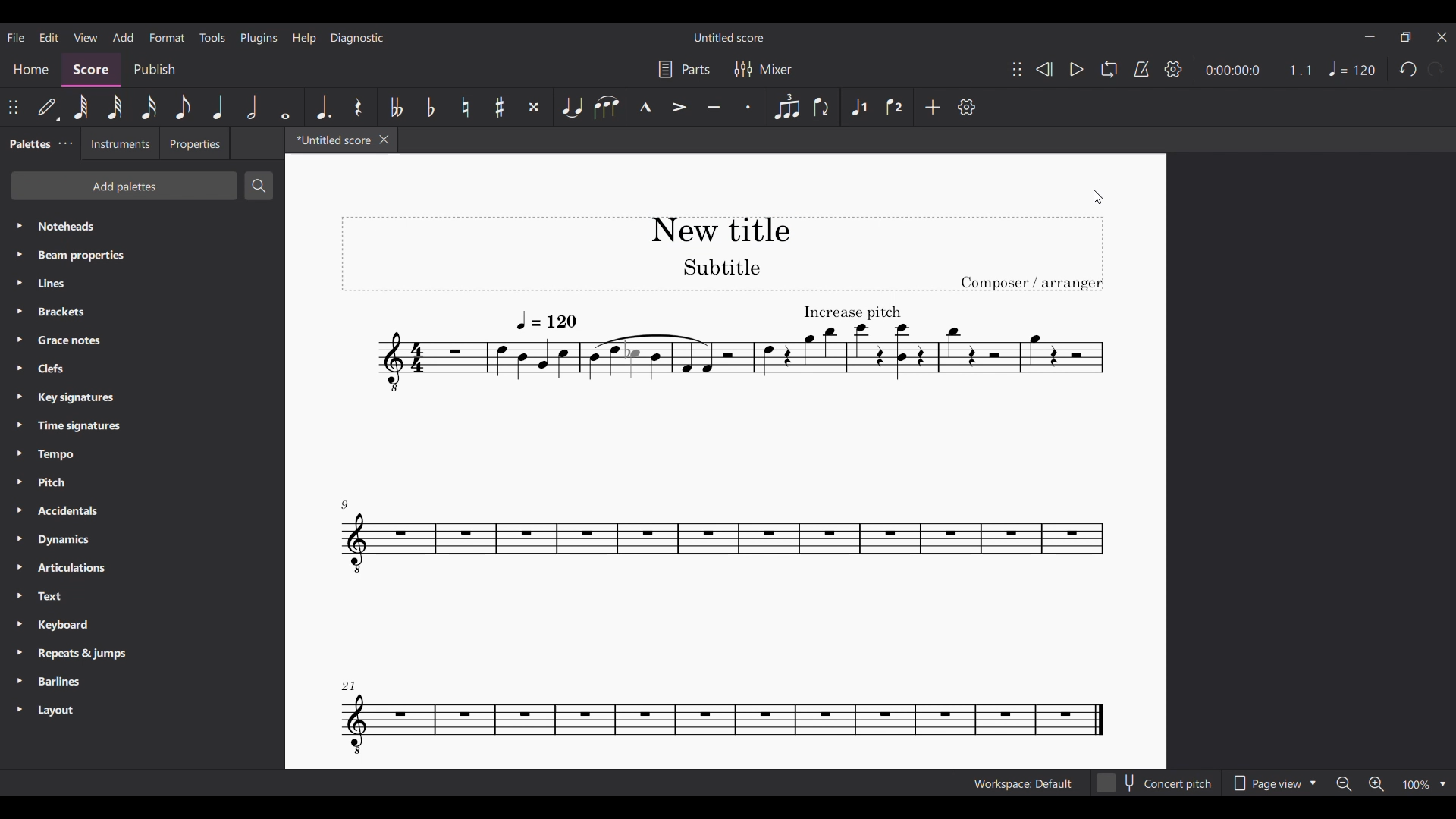 Image resolution: width=1456 pixels, height=819 pixels. What do you see at coordinates (125, 186) in the screenshot?
I see `Add palettes` at bounding box center [125, 186].